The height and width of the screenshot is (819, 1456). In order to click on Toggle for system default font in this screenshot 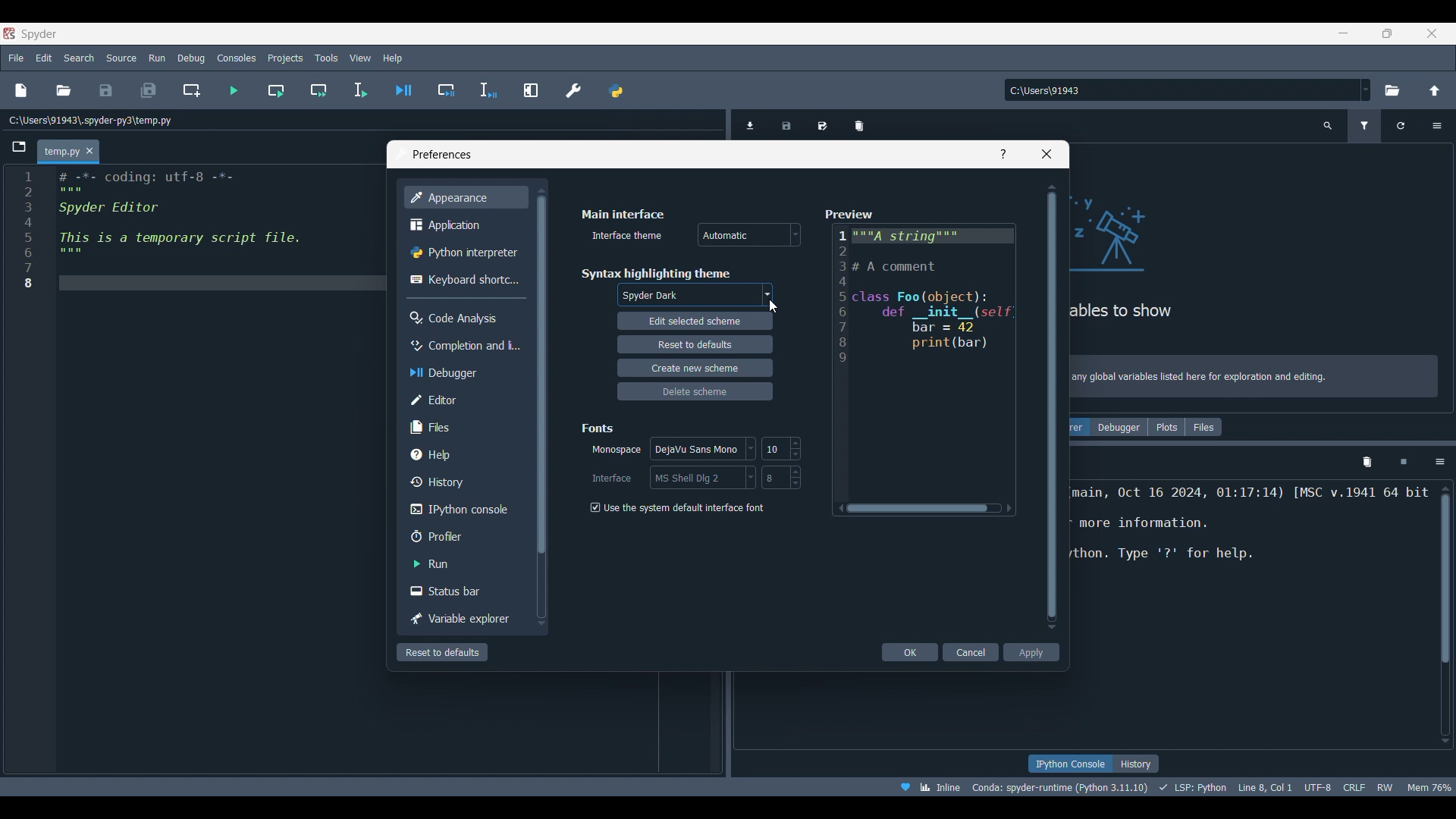, I will do `click(683, 507)`.